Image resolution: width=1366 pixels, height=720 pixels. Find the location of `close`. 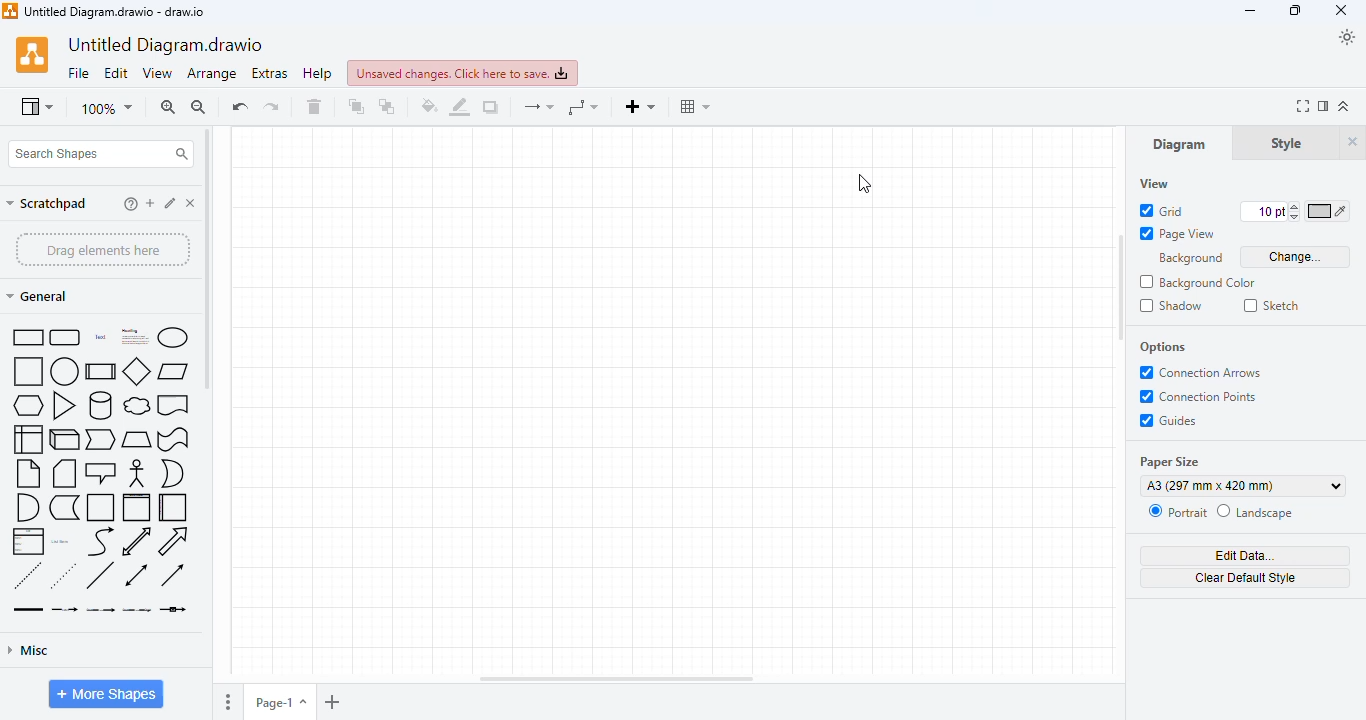

close is located at coordinates (1352, 141).